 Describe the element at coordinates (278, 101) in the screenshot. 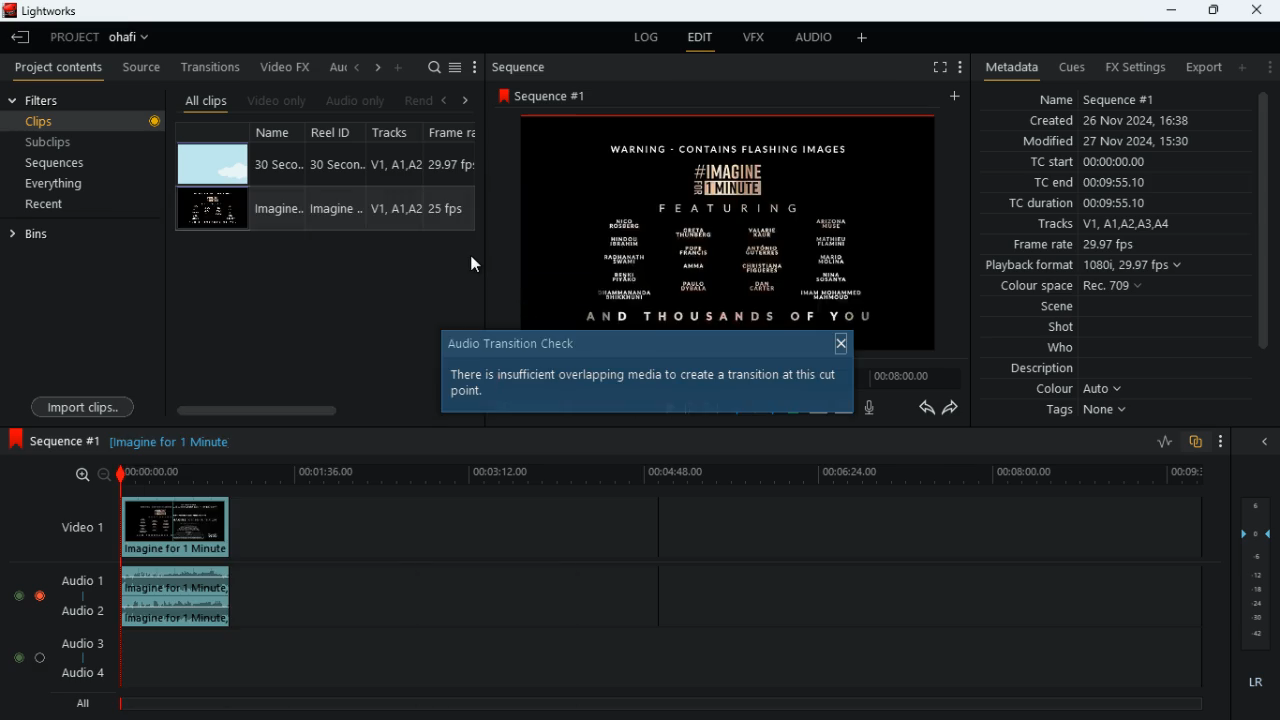

I see `video only` at that location.